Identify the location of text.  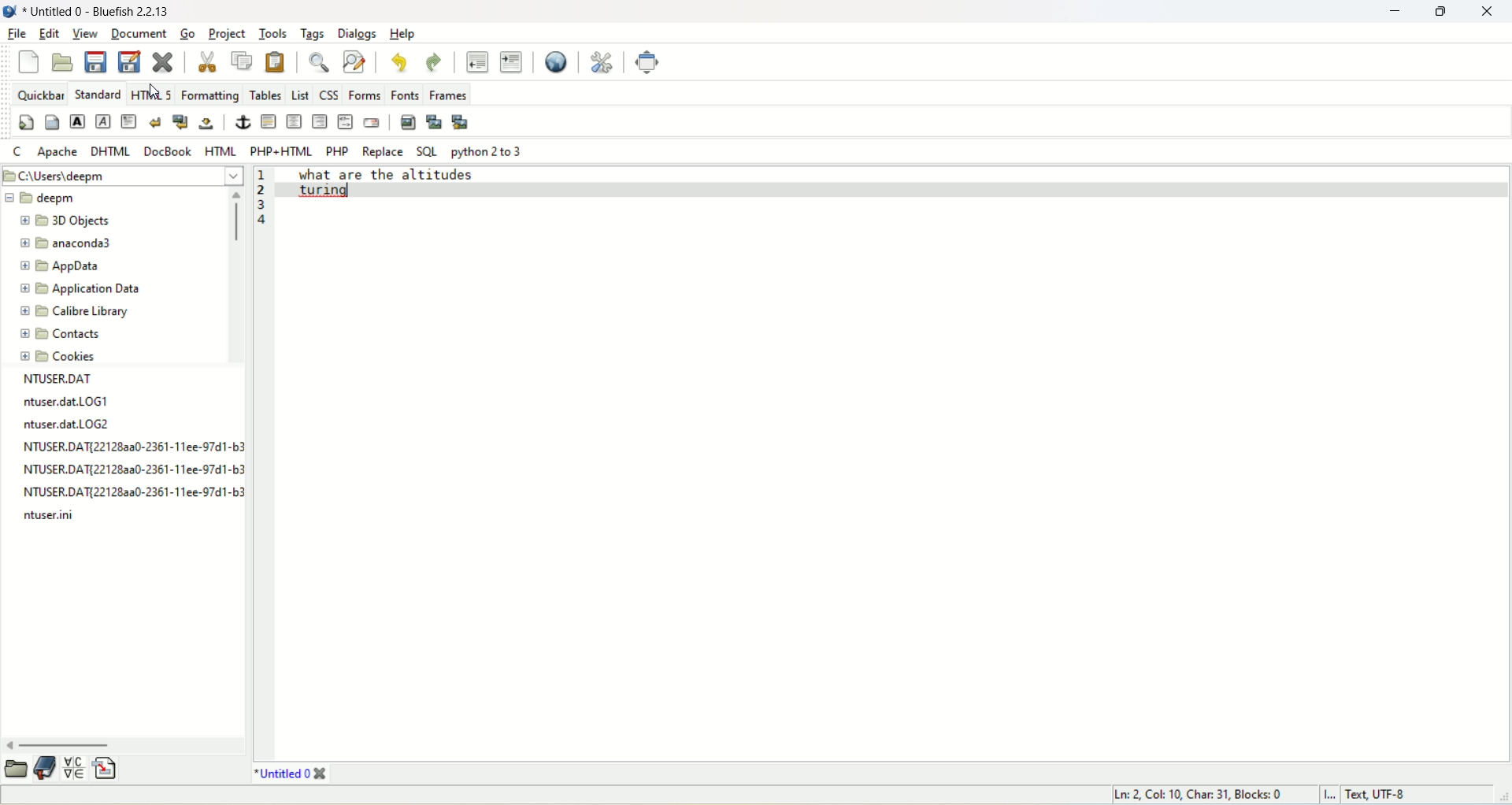
(130, 450).